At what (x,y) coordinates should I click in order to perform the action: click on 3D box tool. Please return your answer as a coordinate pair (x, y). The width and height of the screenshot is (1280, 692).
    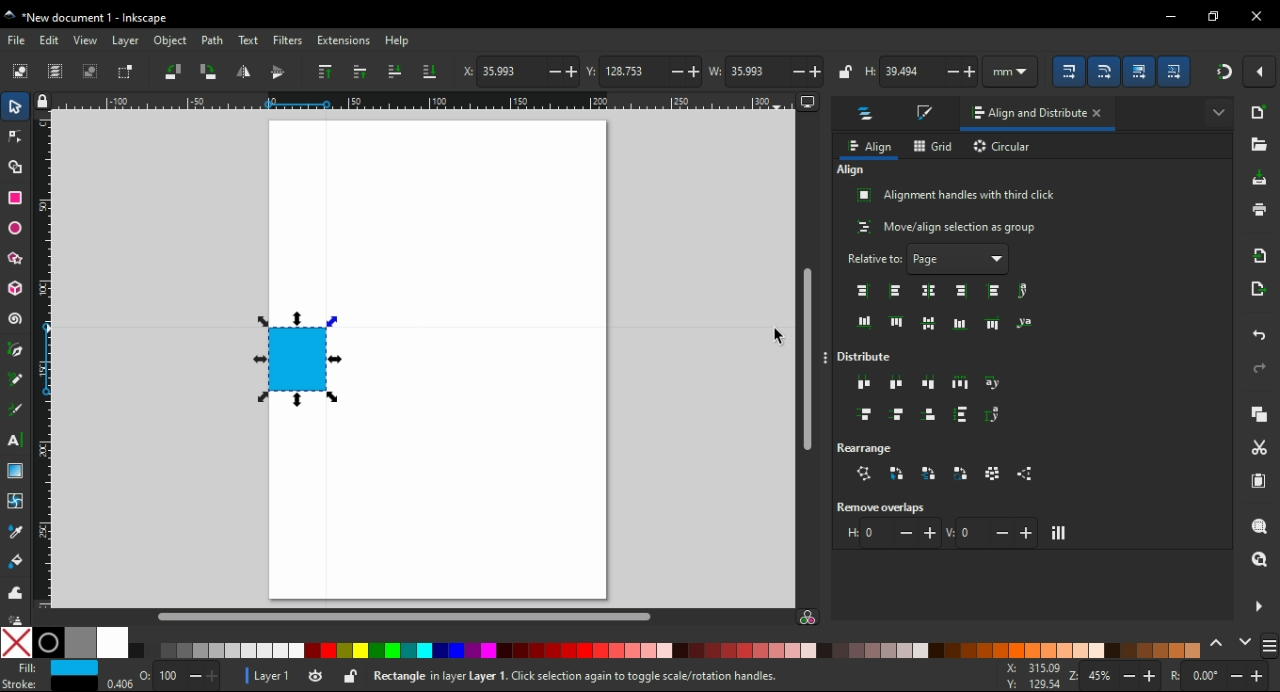
    Looking at the image, I should click on (14, 290).